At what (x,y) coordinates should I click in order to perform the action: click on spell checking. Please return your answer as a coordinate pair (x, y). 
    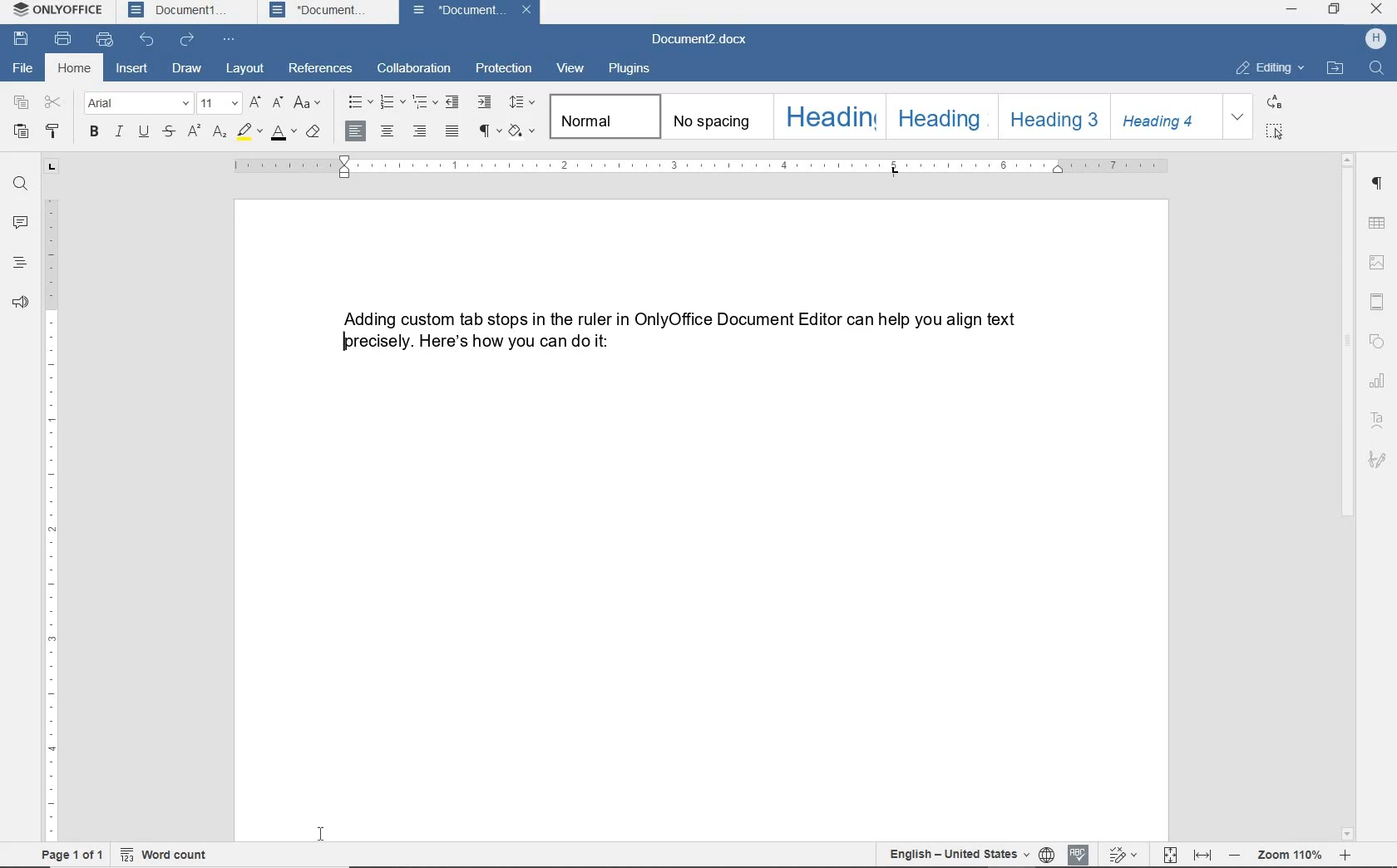
    Looking at the image, I should click on (1078, 854).